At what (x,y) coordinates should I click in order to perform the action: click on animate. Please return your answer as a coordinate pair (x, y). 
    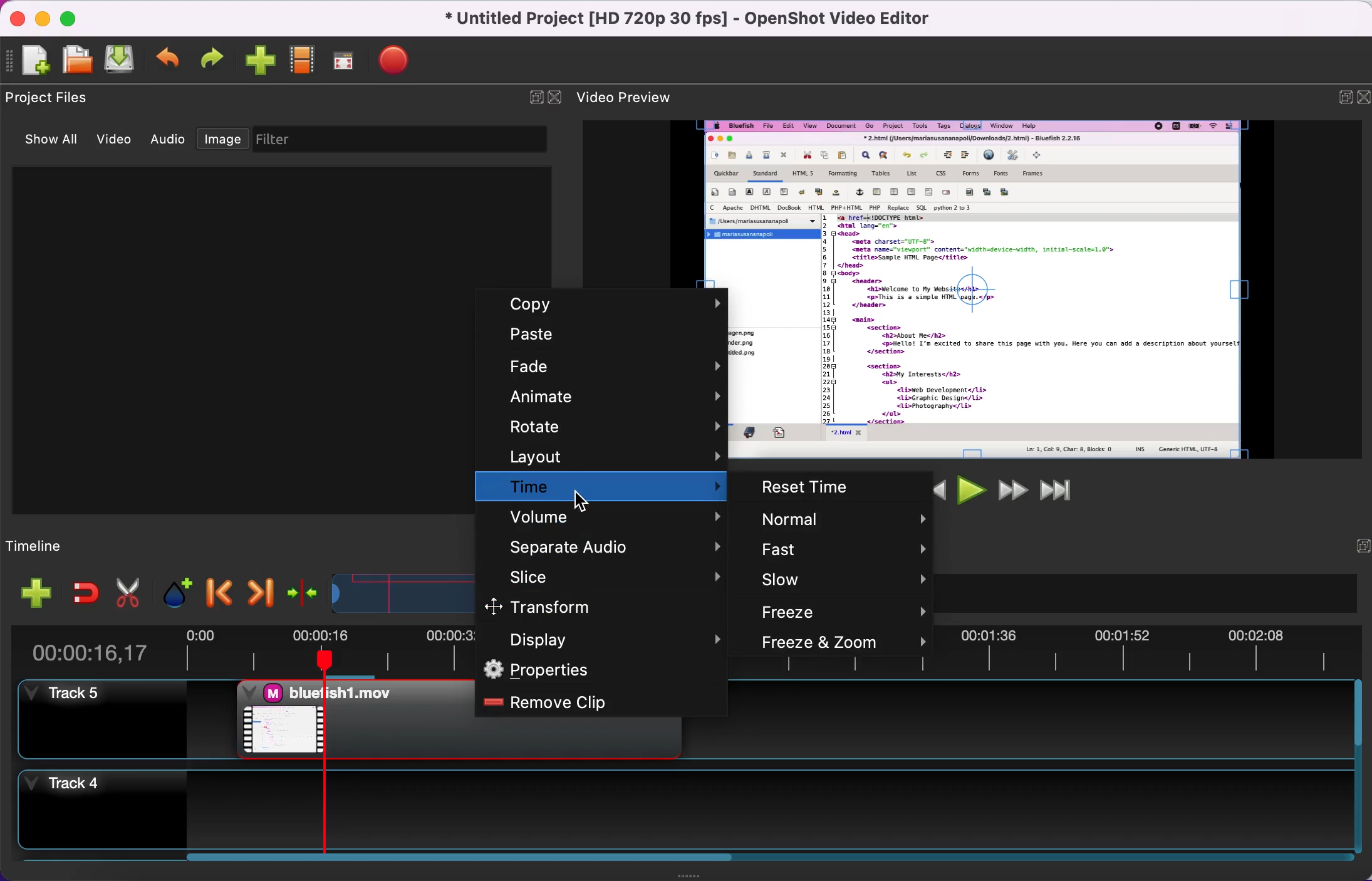
    Looking at the image, I should click on (598, 396).